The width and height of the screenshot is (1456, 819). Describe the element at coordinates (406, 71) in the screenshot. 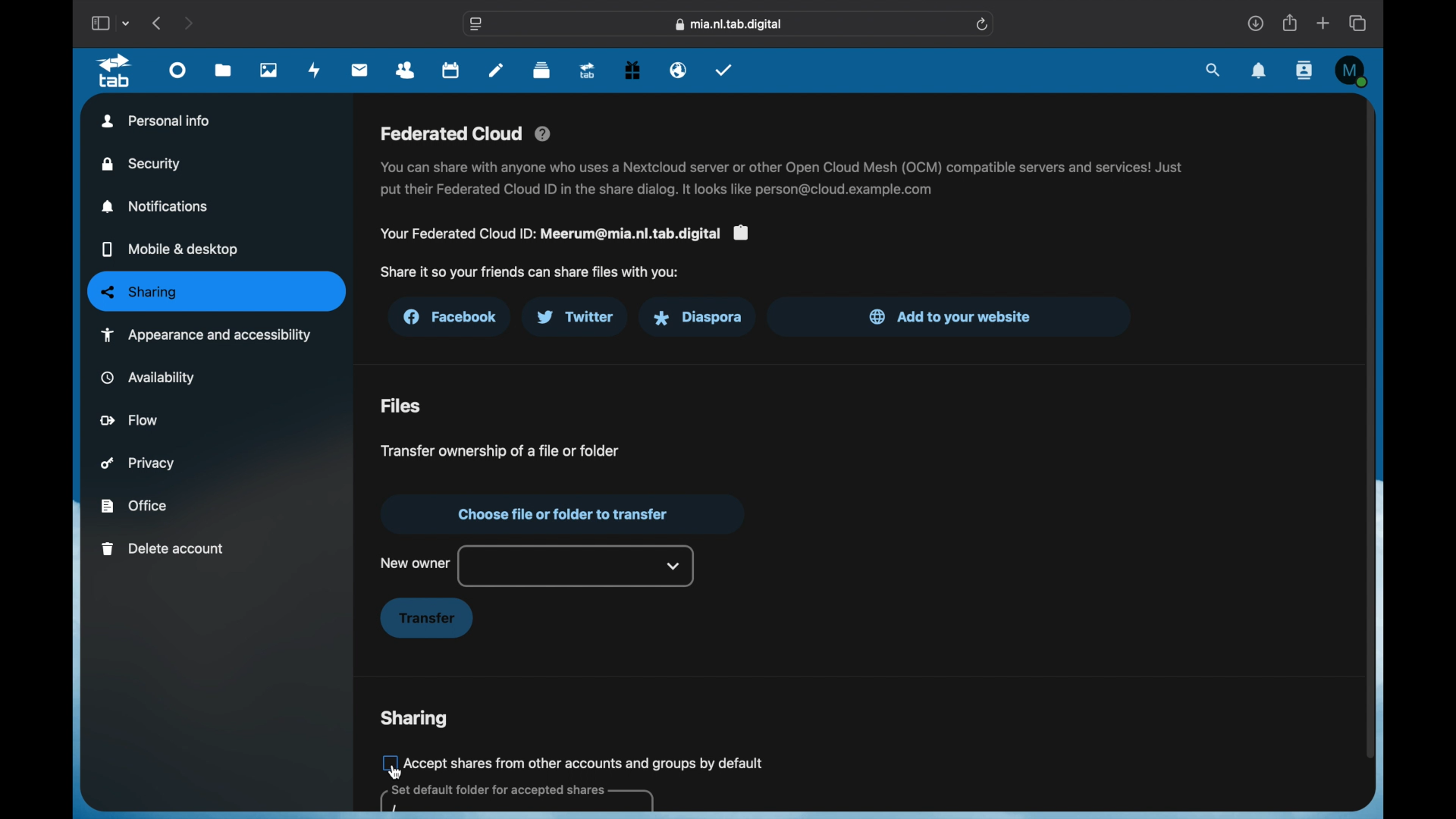

I see `contacts` at that location.